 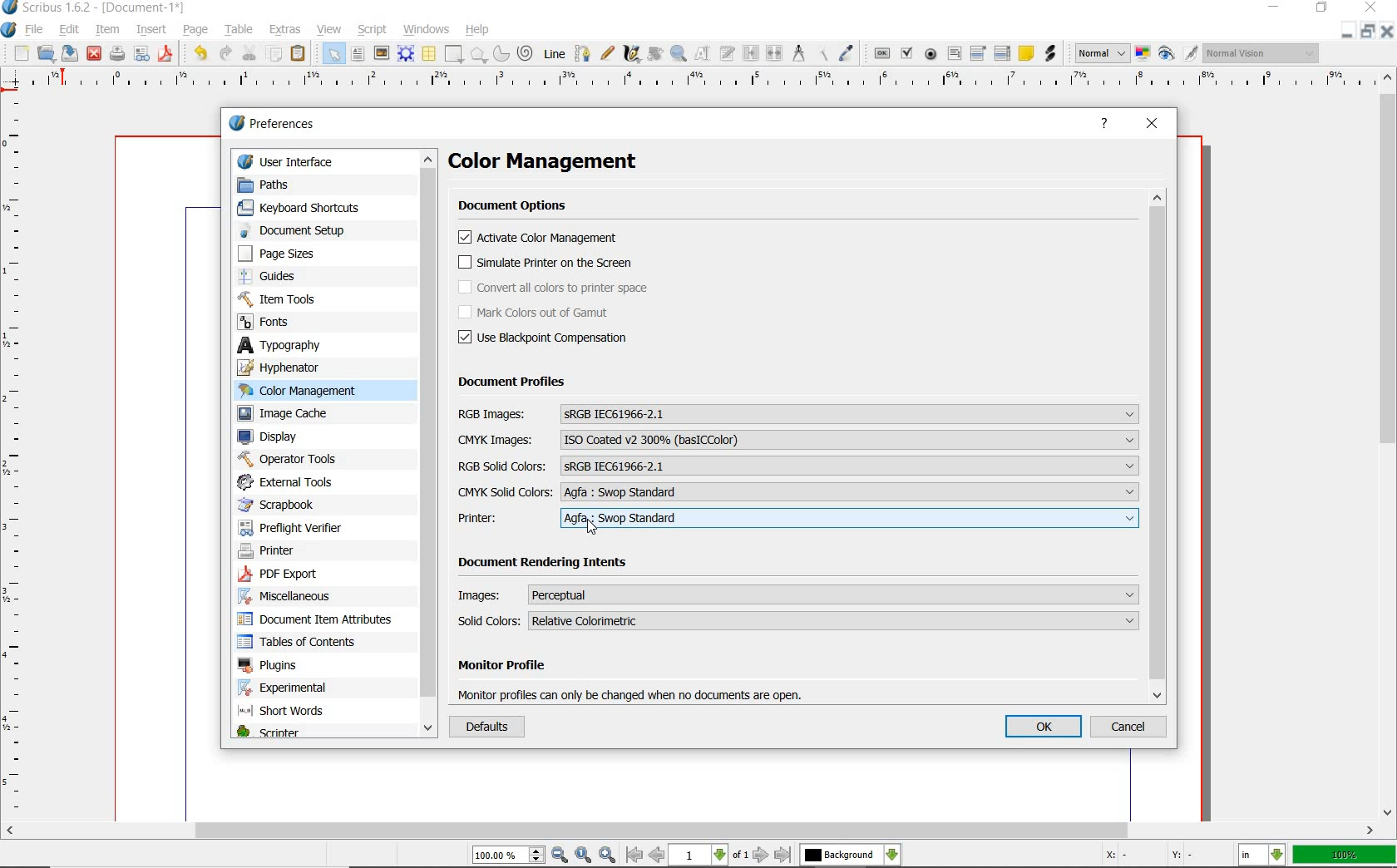 I want to click on page sizes, so click(x=290, y=254).